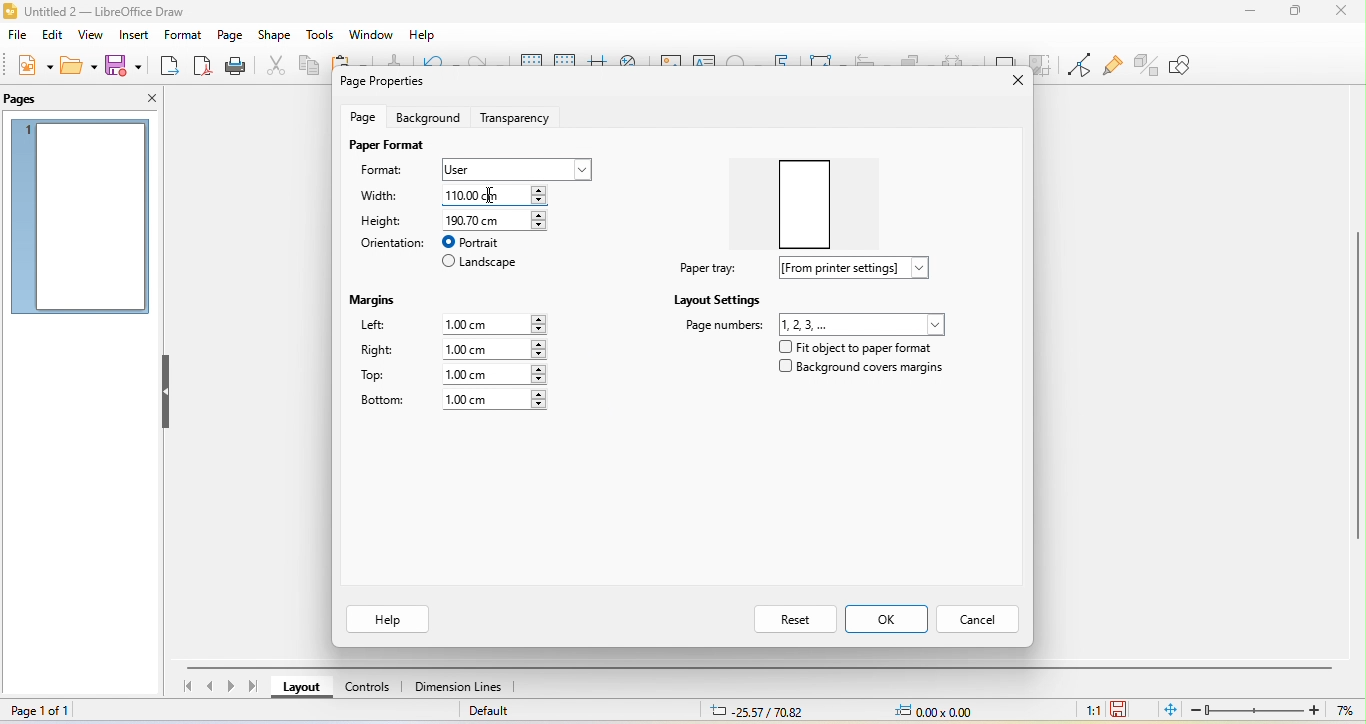 The image size is (1366, 724). What do you see at coordinates (495, 218) in the screenshot?
I see `190.70 cm` at bounding box center [495, 218].